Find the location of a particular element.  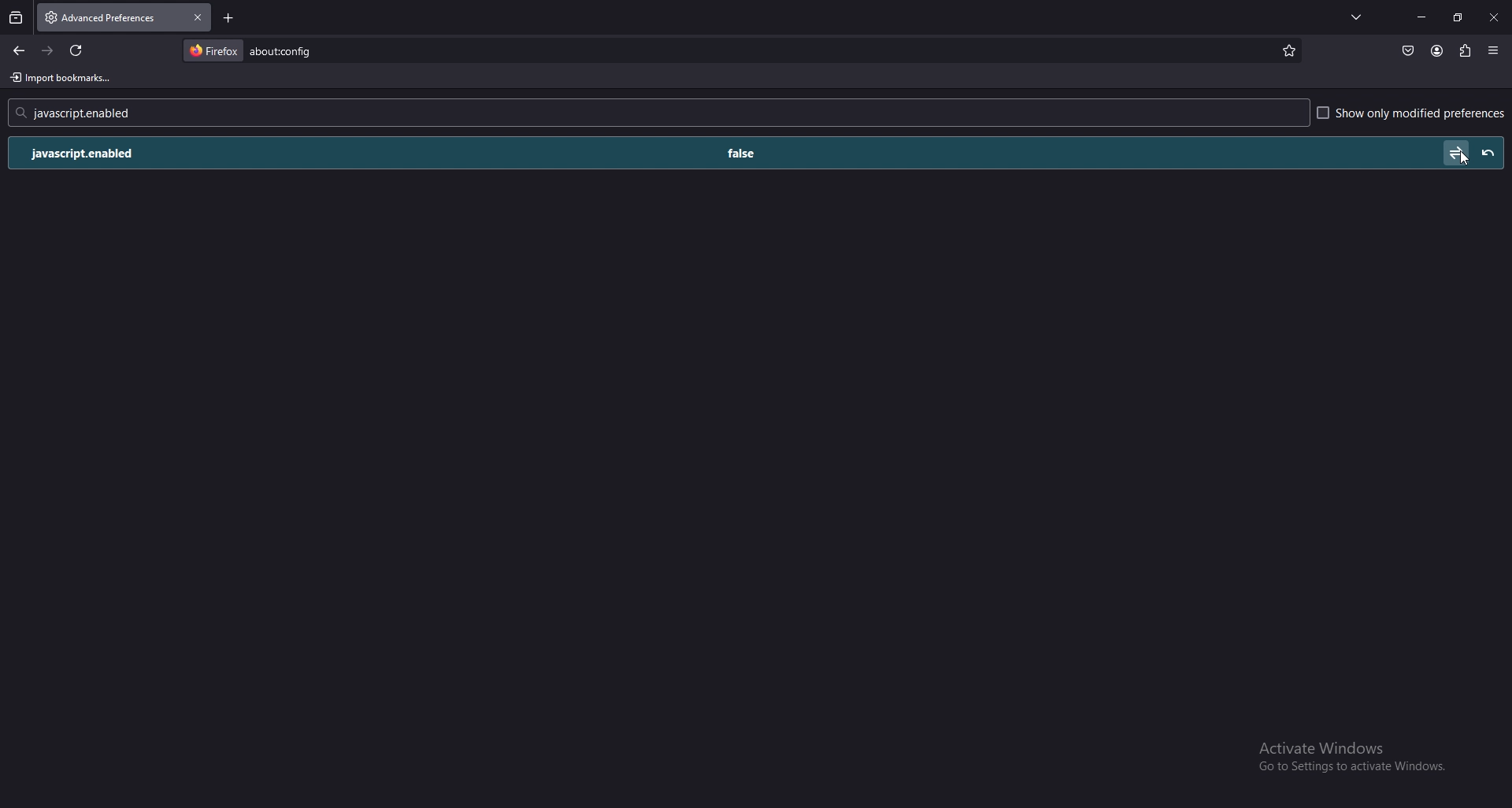

recent browsing is located at coordinates (17, 18).